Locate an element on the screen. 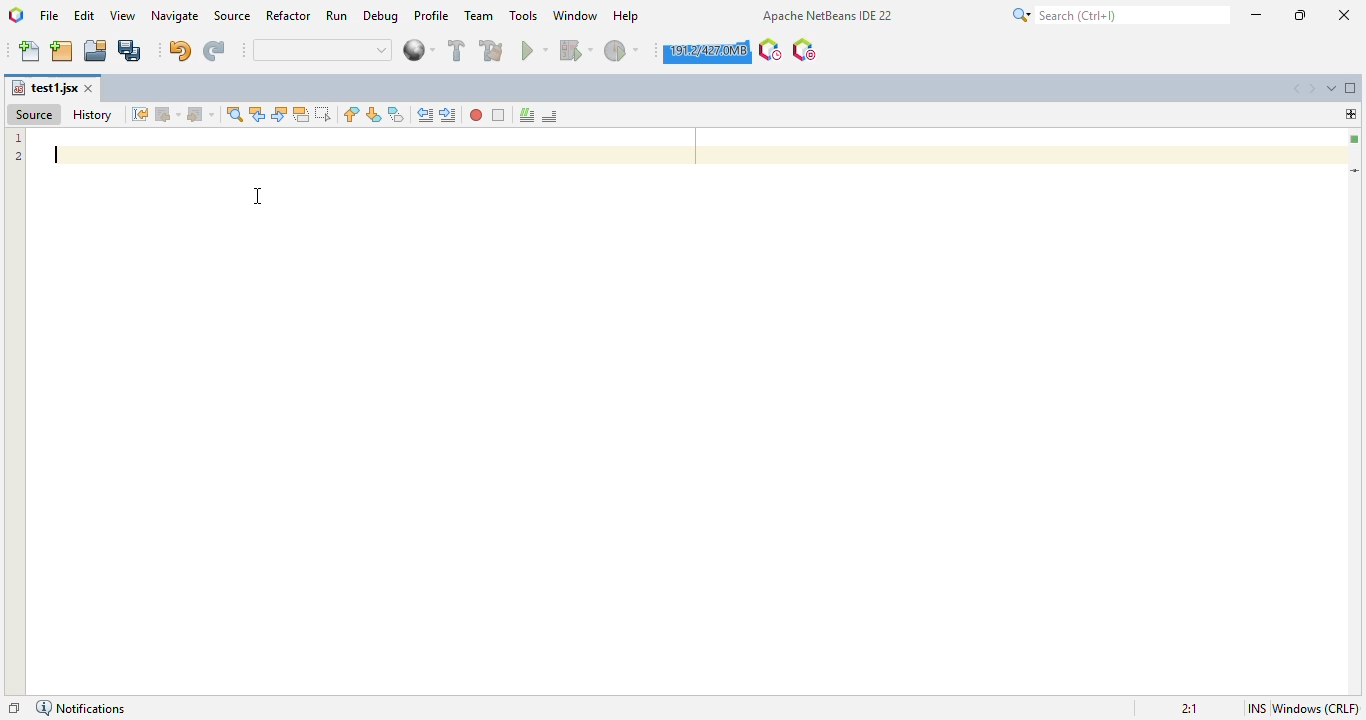 This screenshot has height=720, width=1366. history is located at coordinates (92, 115).